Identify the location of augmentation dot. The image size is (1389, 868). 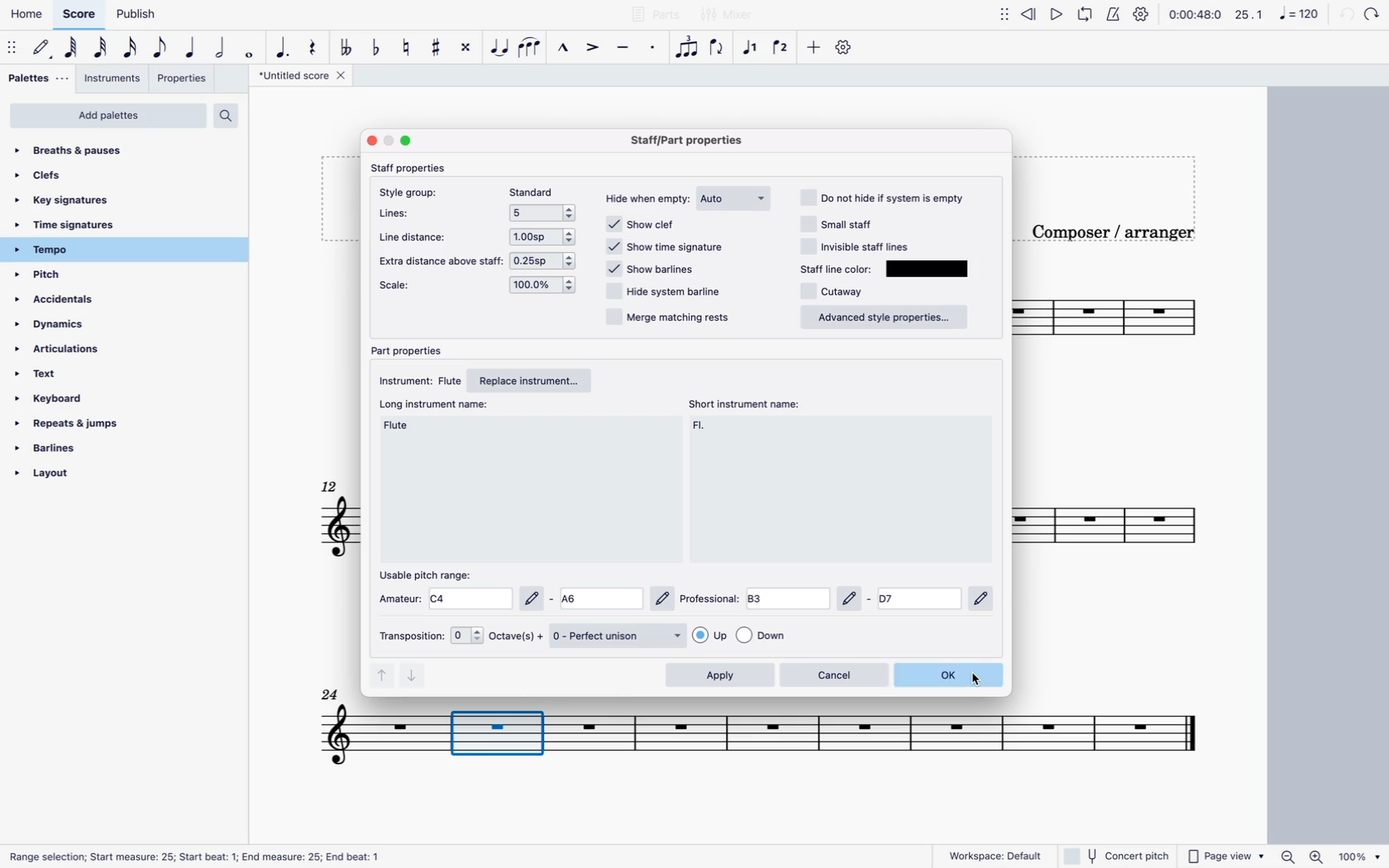
(283, 48).